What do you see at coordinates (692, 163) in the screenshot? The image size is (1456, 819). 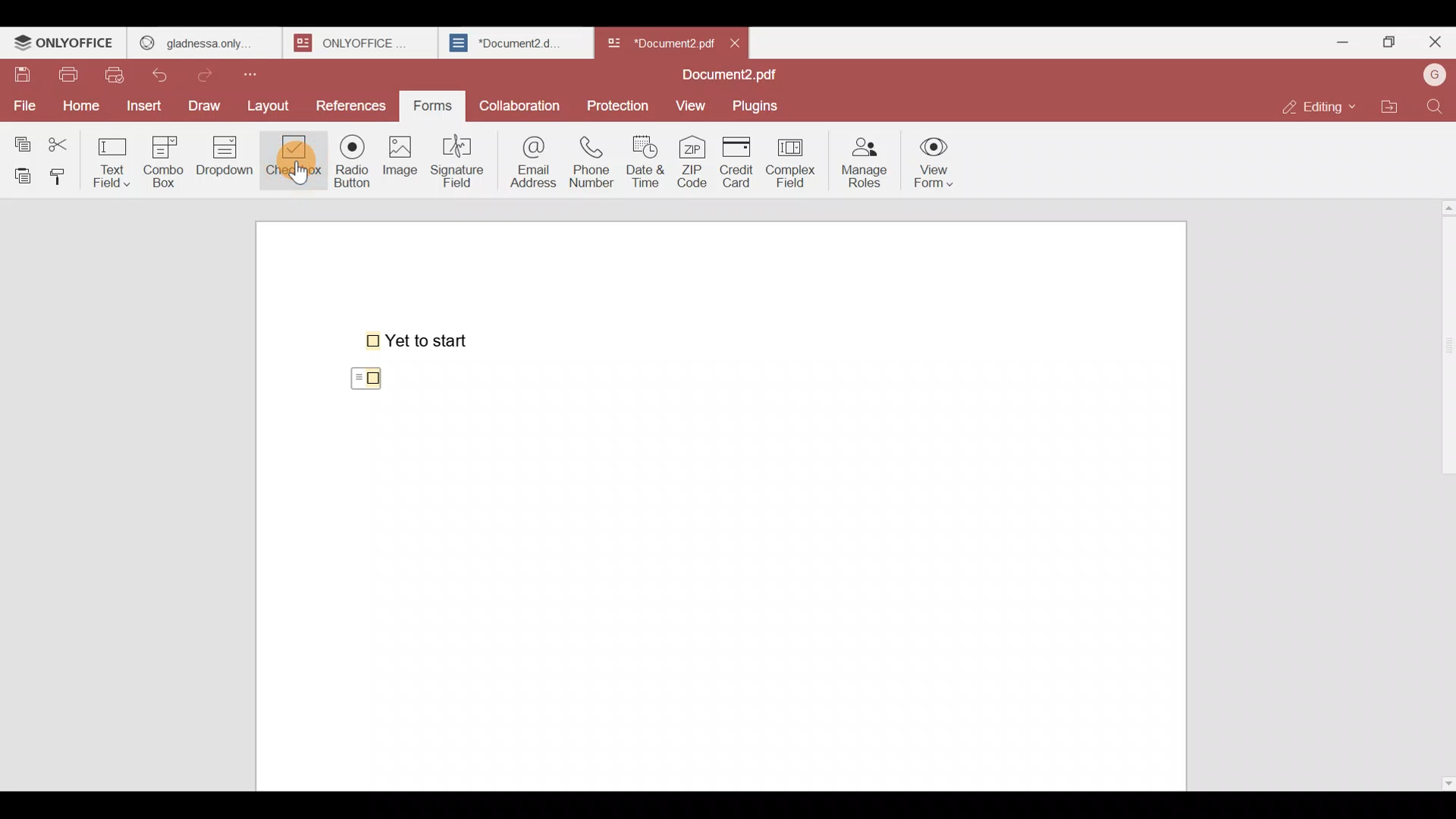 I see `ZIP code` at bounding box center [692, 163].